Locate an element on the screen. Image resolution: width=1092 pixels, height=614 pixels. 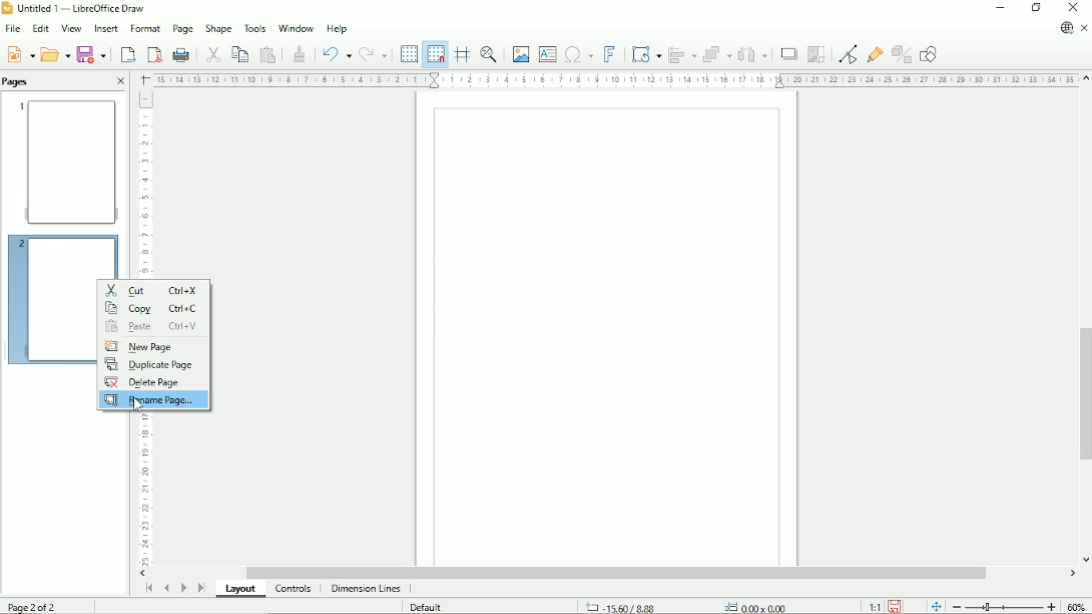
Helplines while moving is located at coordinates (462, 54).